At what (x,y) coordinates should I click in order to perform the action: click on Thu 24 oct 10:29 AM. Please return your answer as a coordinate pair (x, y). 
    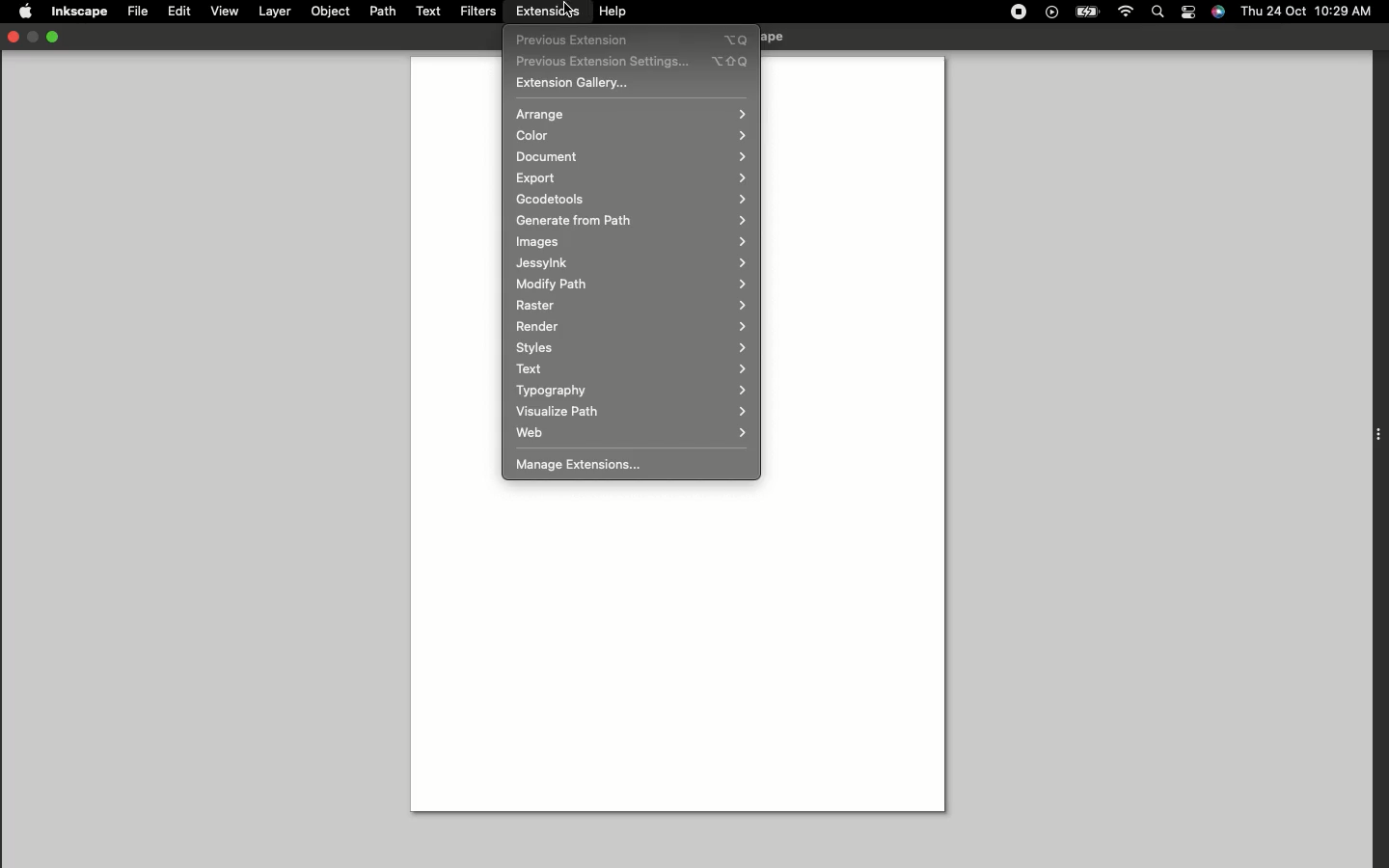
    Looking at the image, I should click on (1307, 12).